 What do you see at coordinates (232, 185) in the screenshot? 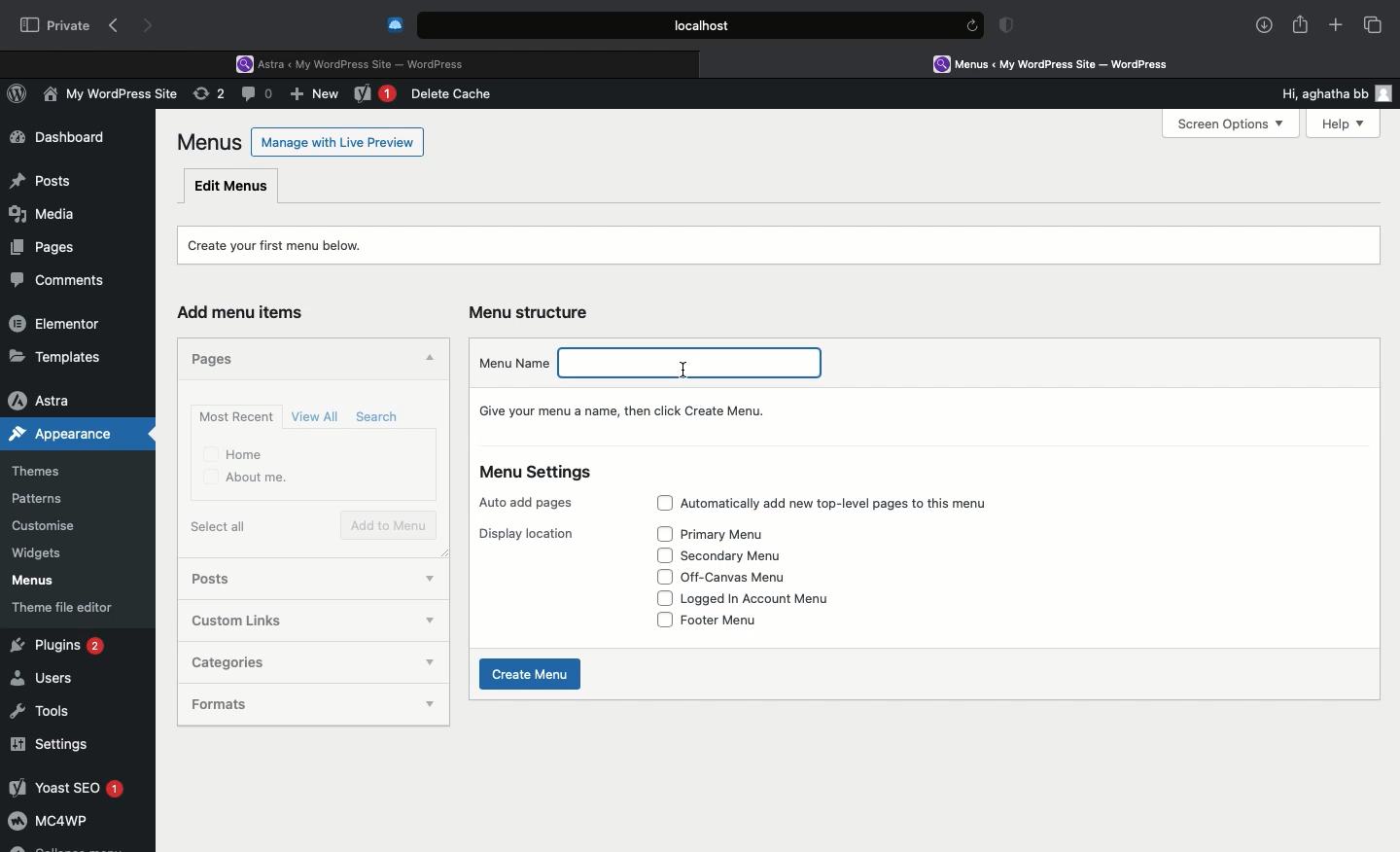
I see `Edit menus` at bounding box center [232, 185].